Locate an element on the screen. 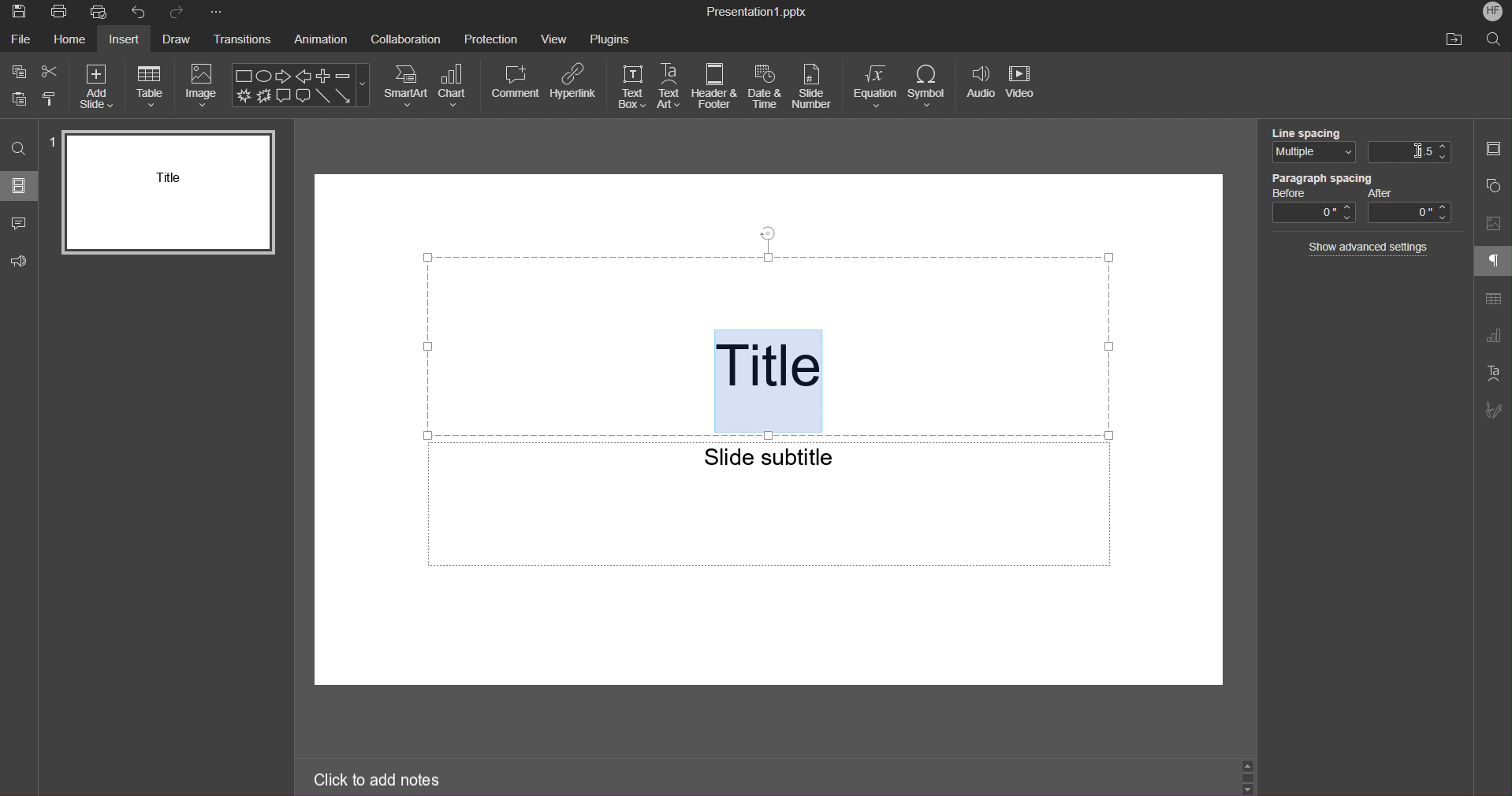 Image resolution: width=1512 pixels, height=796 pixels. File is located at coordinates (22, 42).